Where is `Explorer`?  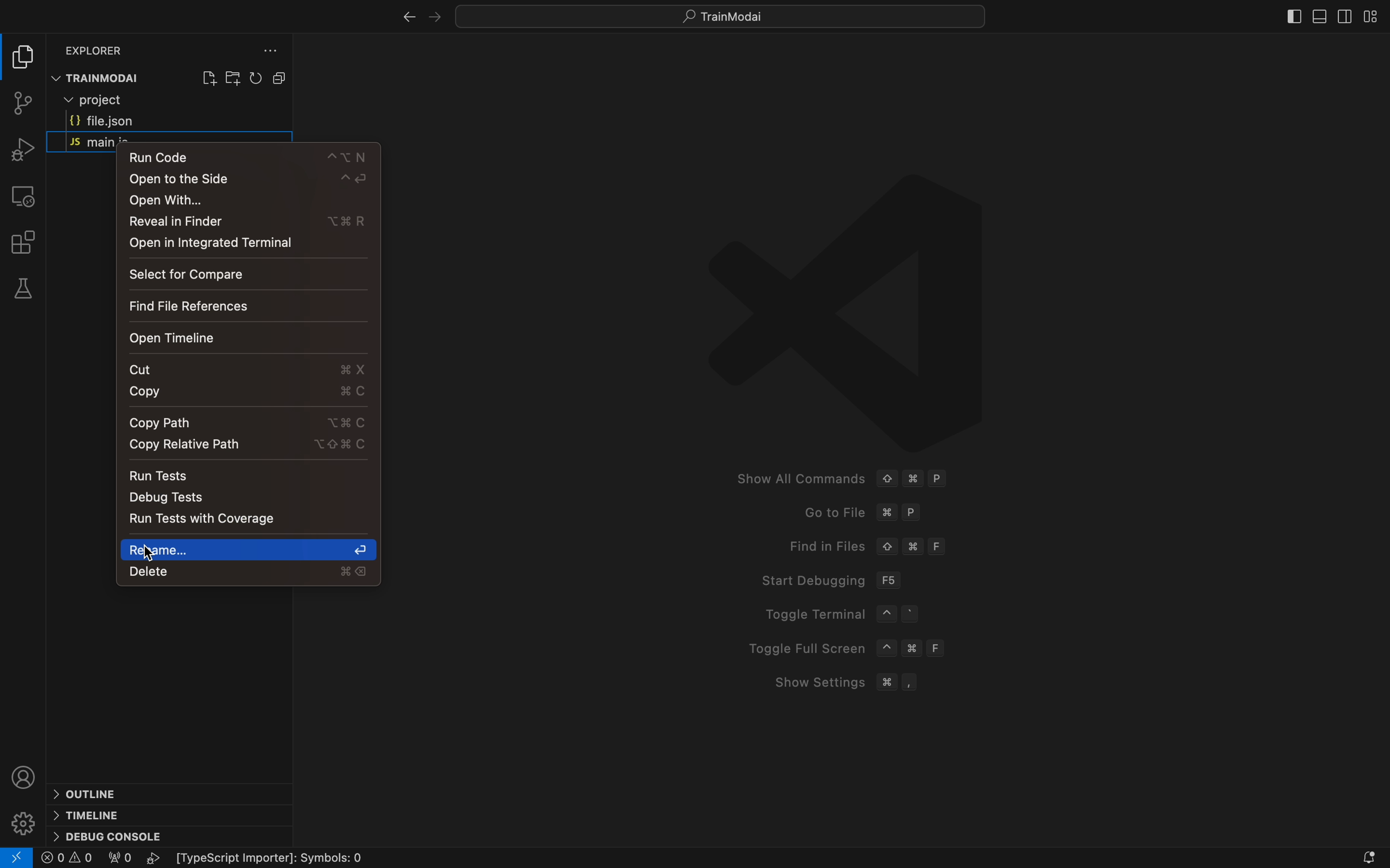
Explorer is located at coordinates (100, 49).